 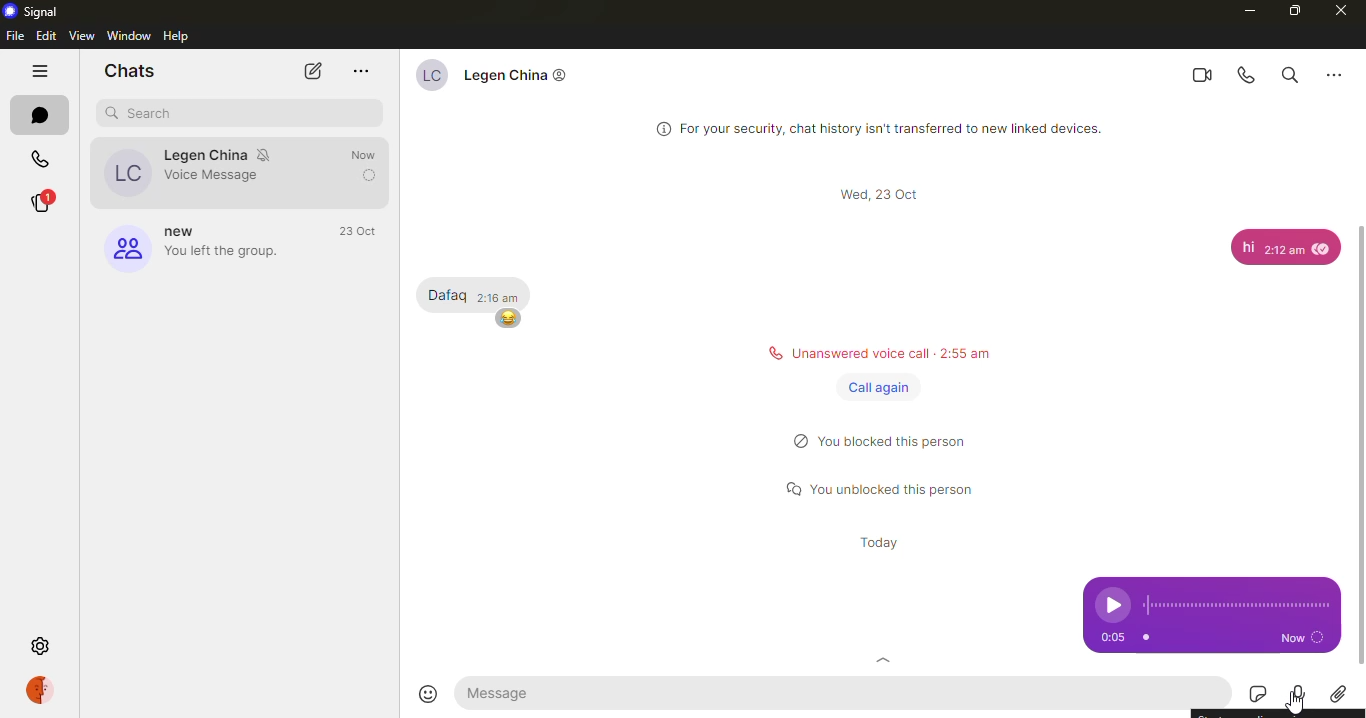 I want to click on record, so click(x=1295, y=695).